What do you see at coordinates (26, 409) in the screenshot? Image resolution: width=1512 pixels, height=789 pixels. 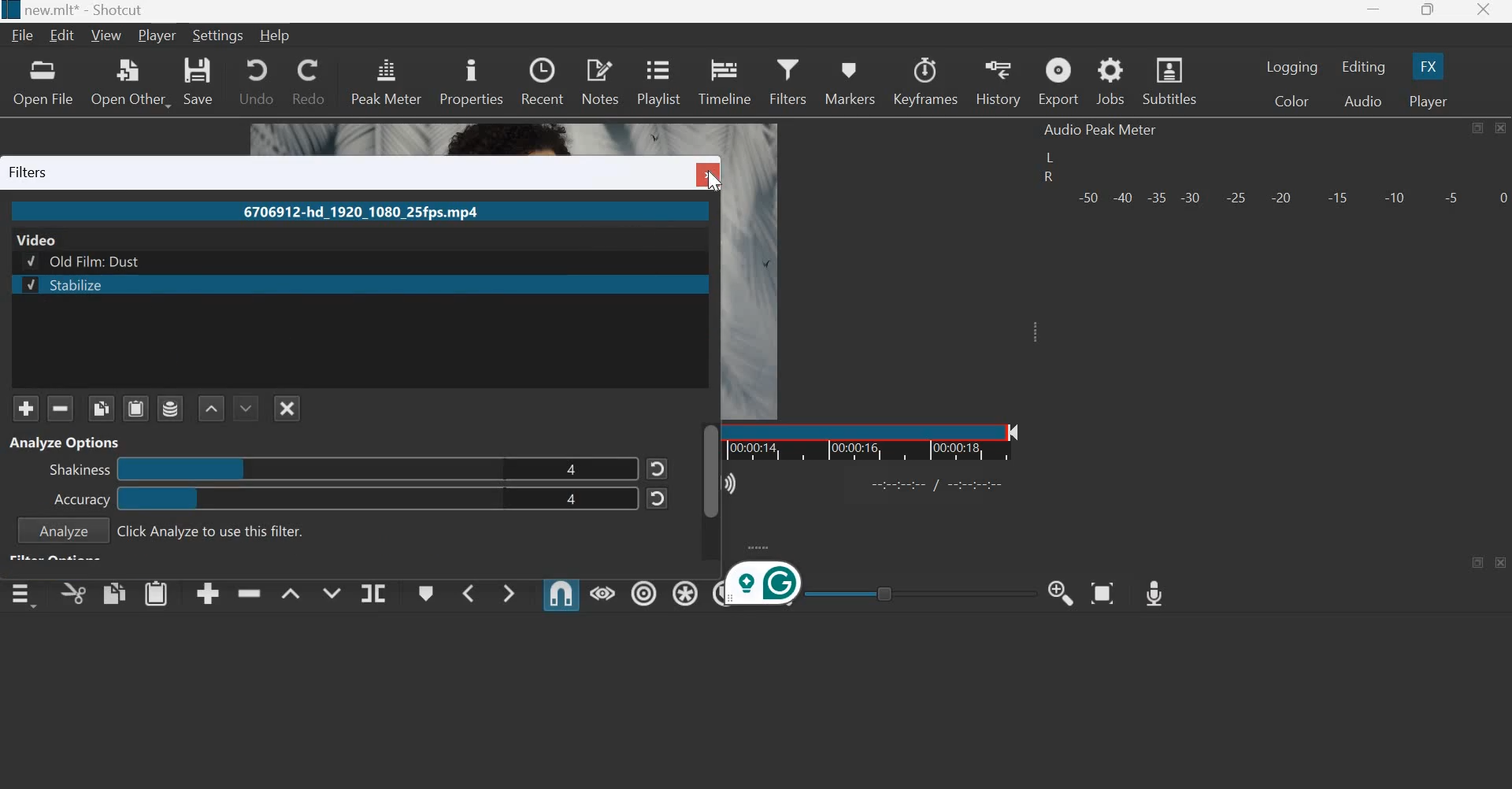 I see `Add a filter` at bounding box center [26, 409].